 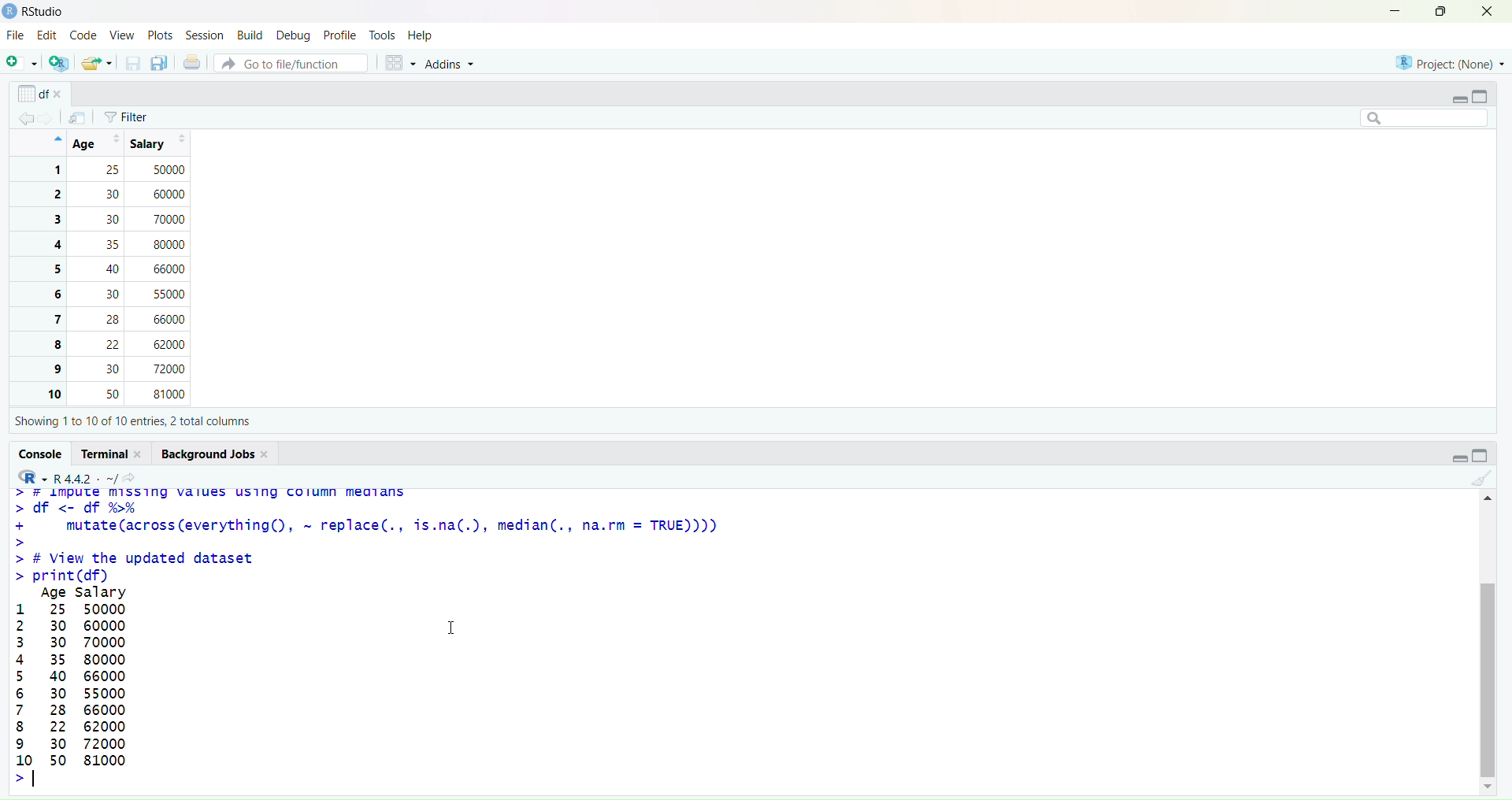 What do you see at coordinates (1459, 98) in the screenshot?
I see `expand` at bounding box center [1459, 98].